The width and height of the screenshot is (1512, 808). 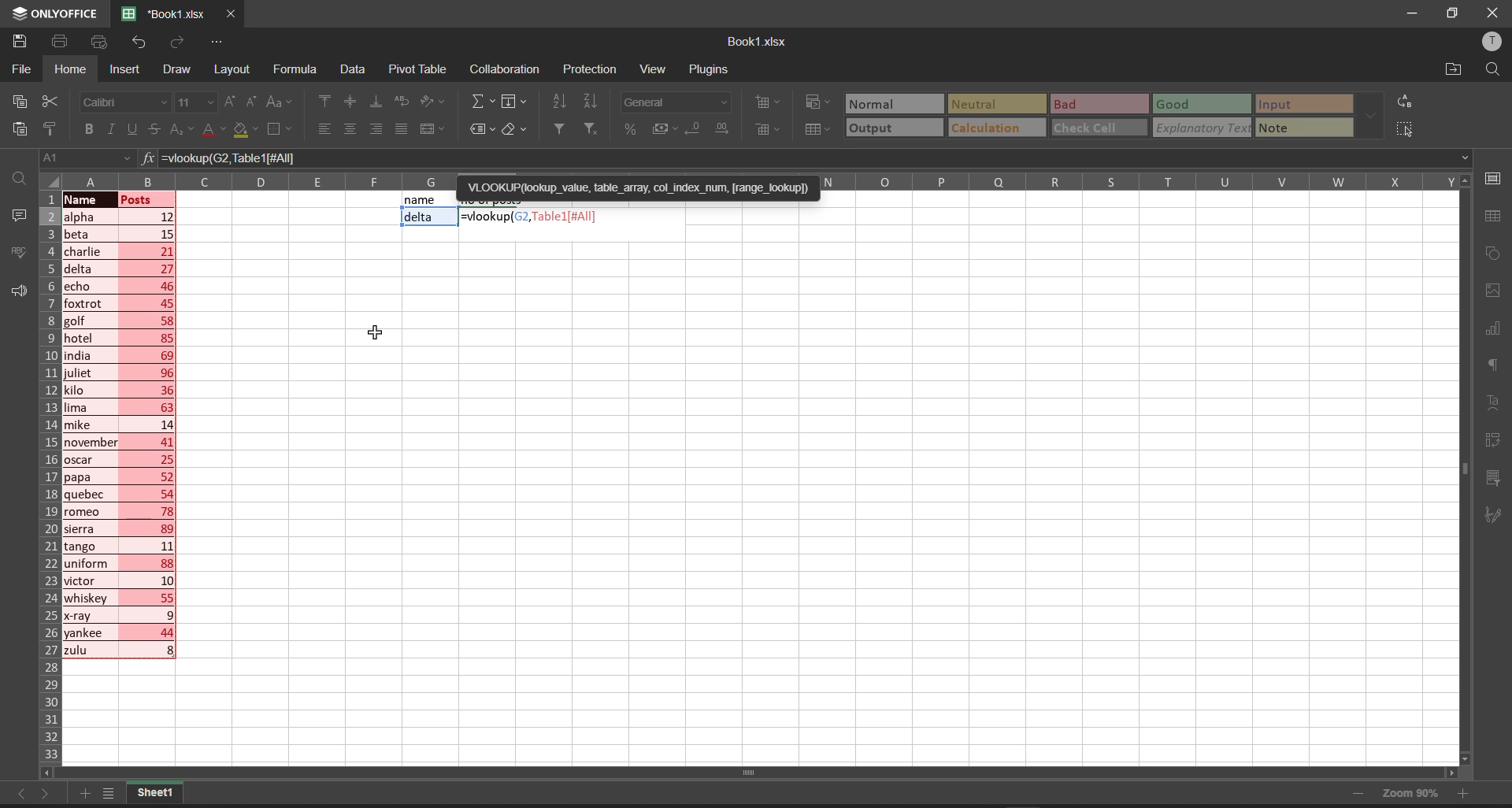 I want to click on merge and center, so click(x=433, y=130).